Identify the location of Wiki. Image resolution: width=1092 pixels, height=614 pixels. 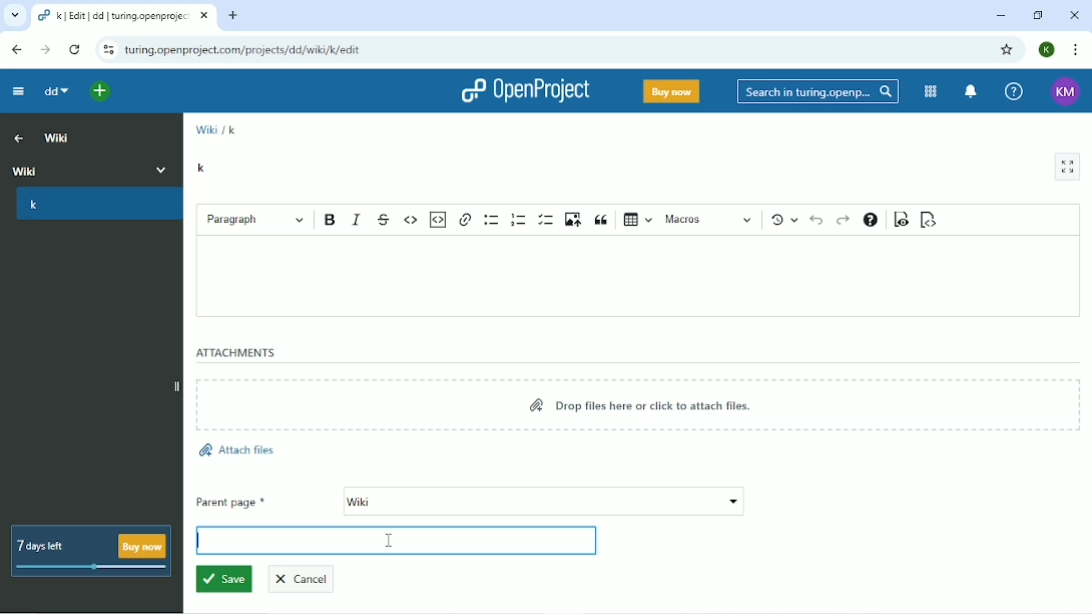
(92, 168).